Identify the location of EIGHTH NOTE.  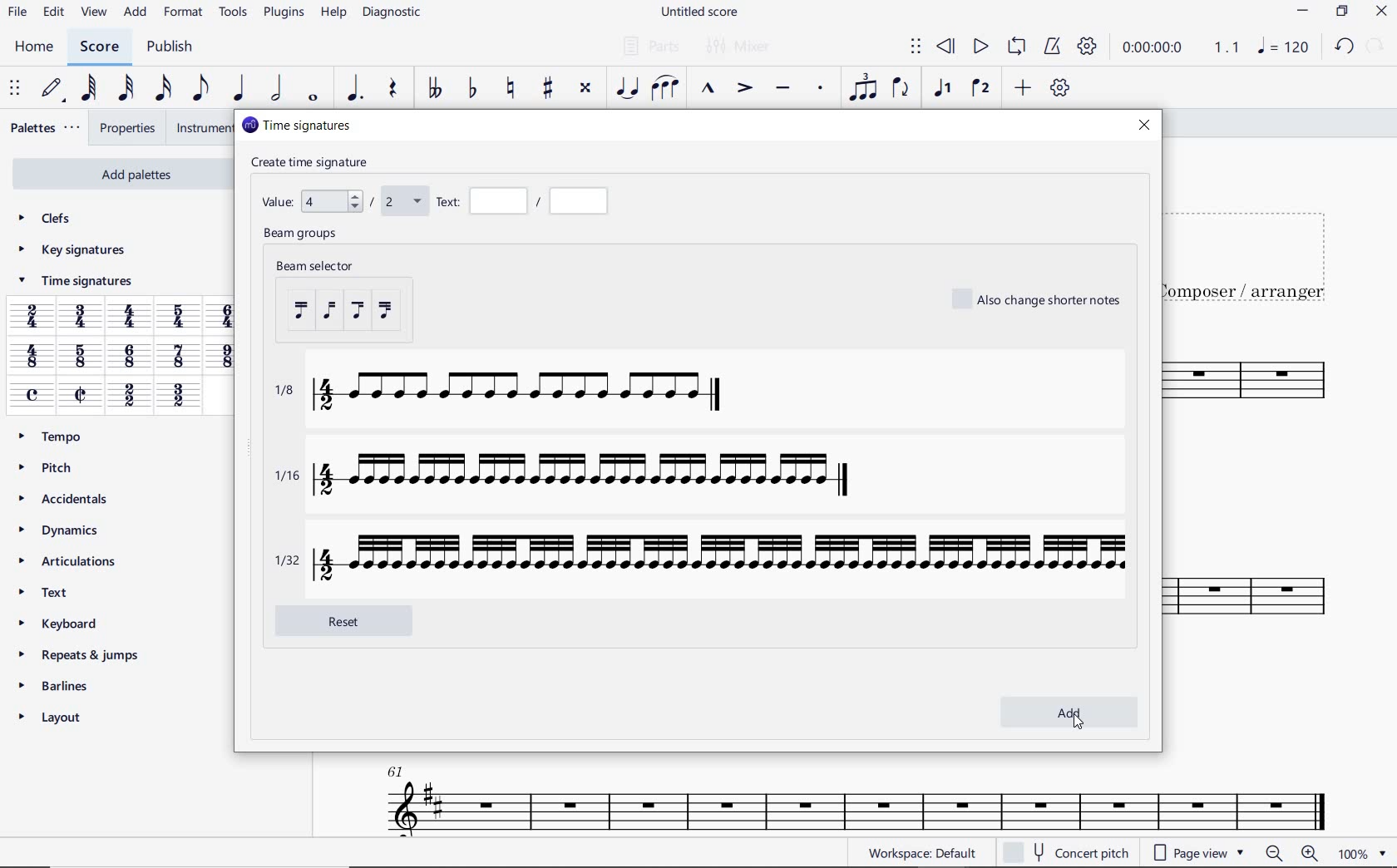
(200, 89).